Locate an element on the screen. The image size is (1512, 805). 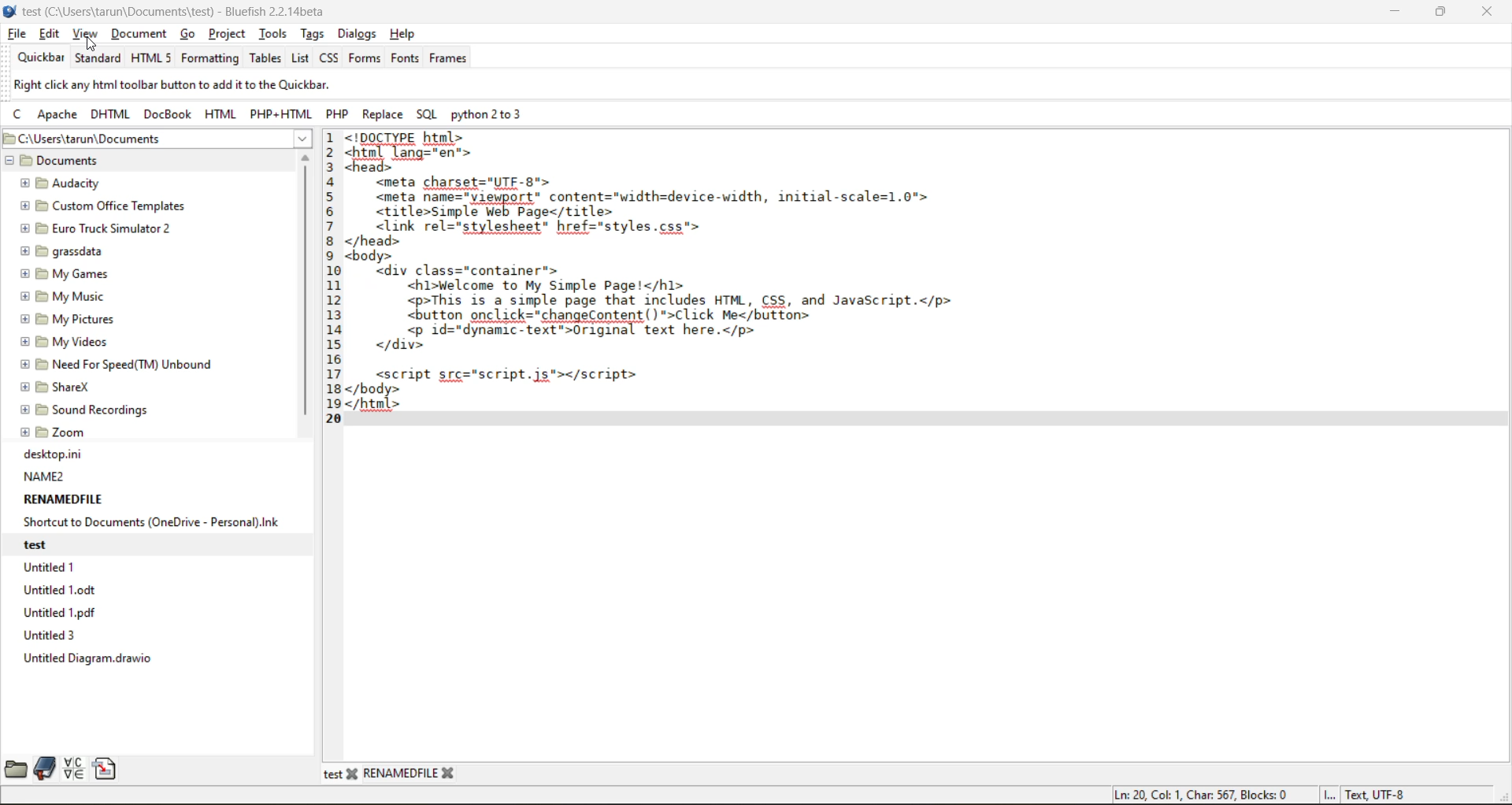
Shortcut to Documents (OneDrive - Personal).Ink is located at coordinates (152, 522).